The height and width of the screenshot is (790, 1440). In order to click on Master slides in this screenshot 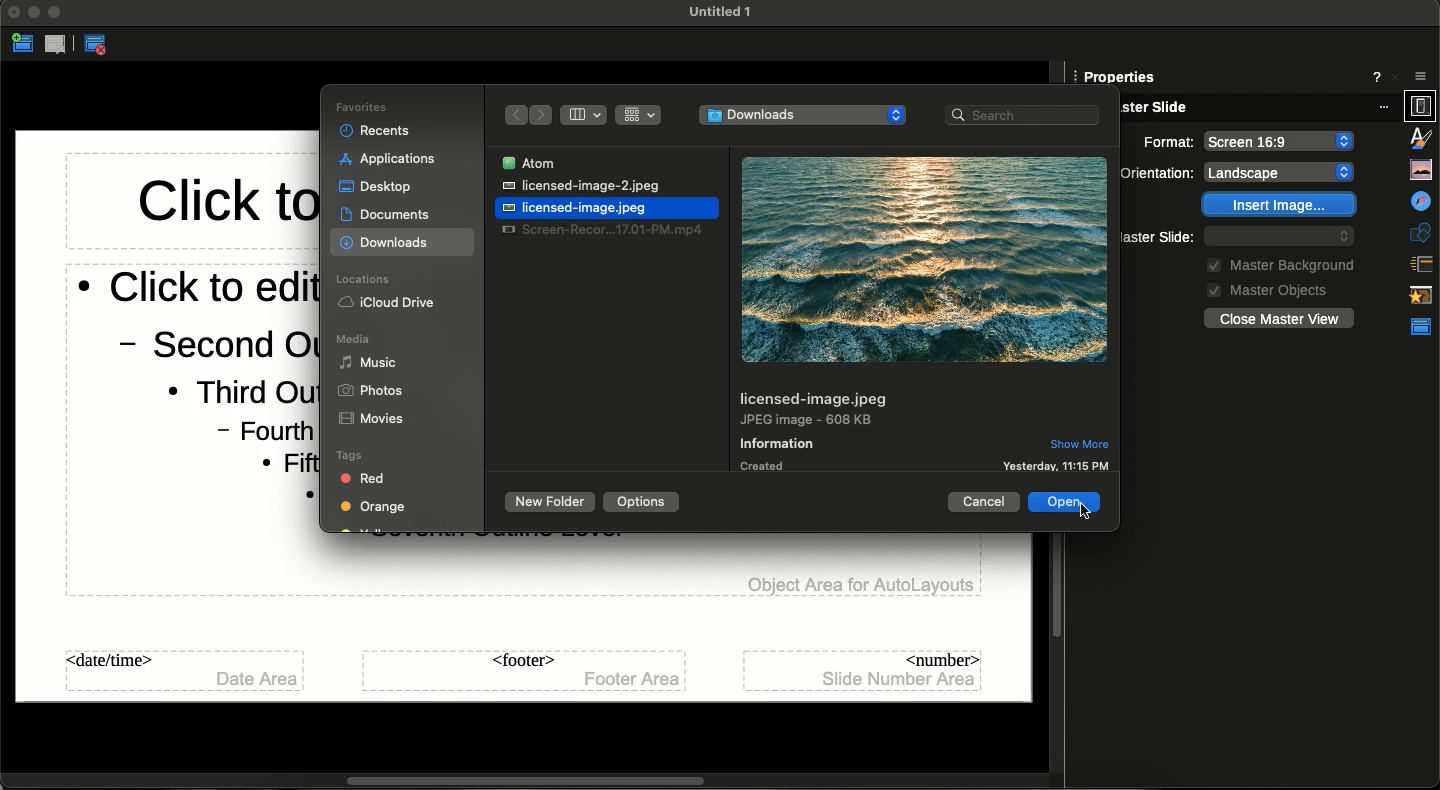, I will do `click(1419, 293)`.